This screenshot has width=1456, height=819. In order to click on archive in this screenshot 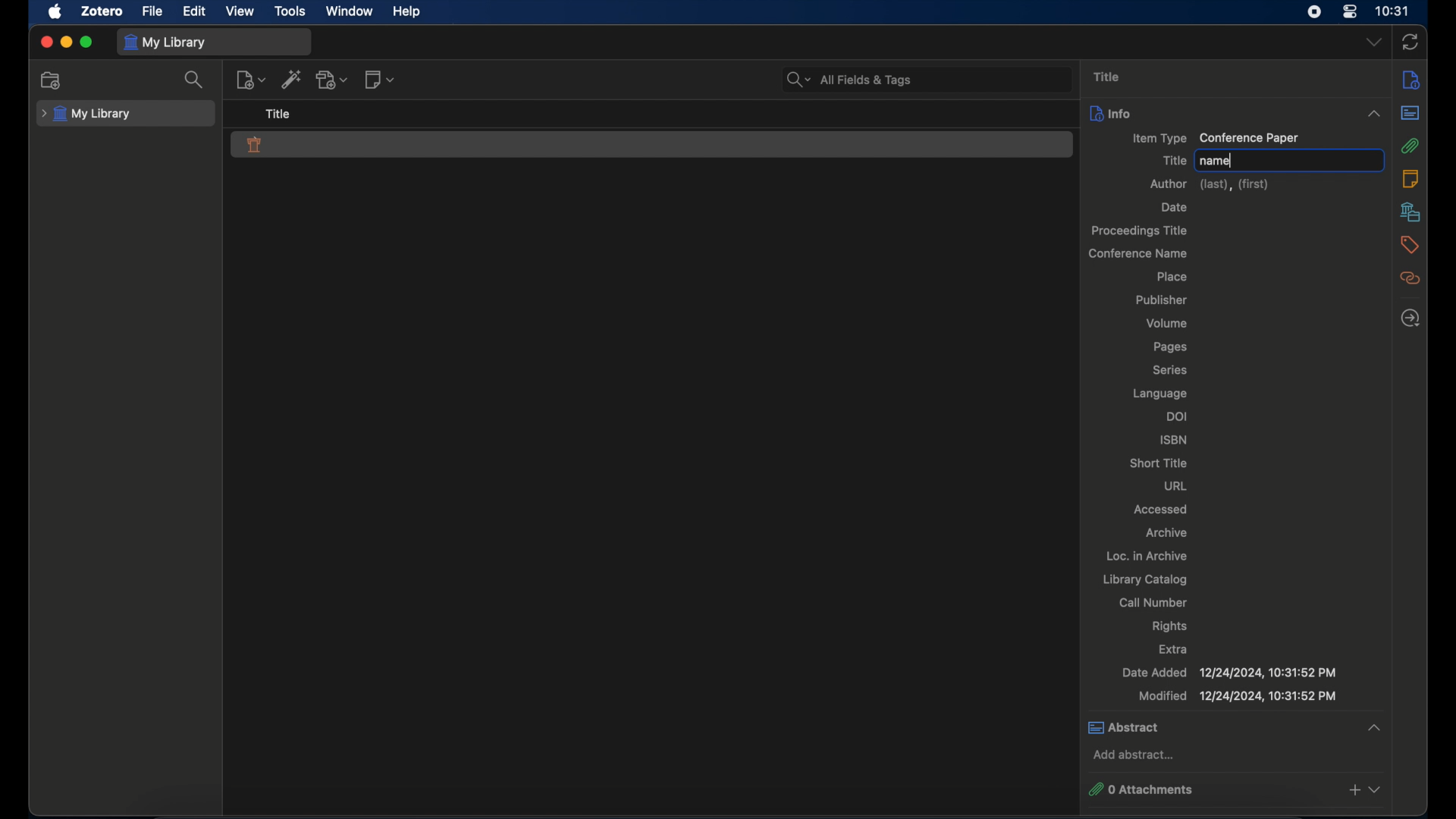, I will do `click(1169, 532)`.